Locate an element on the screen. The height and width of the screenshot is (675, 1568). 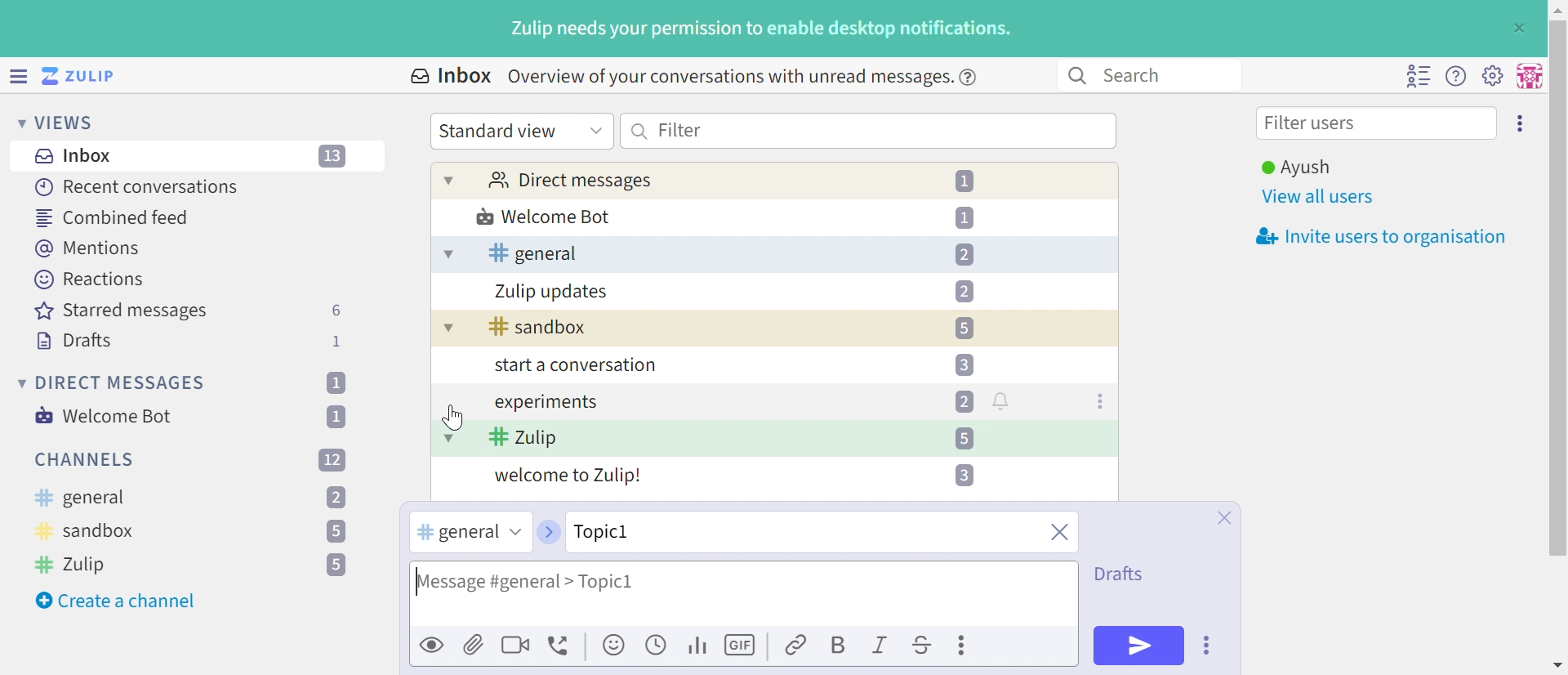
Send is located at coordinates (1139, 645).